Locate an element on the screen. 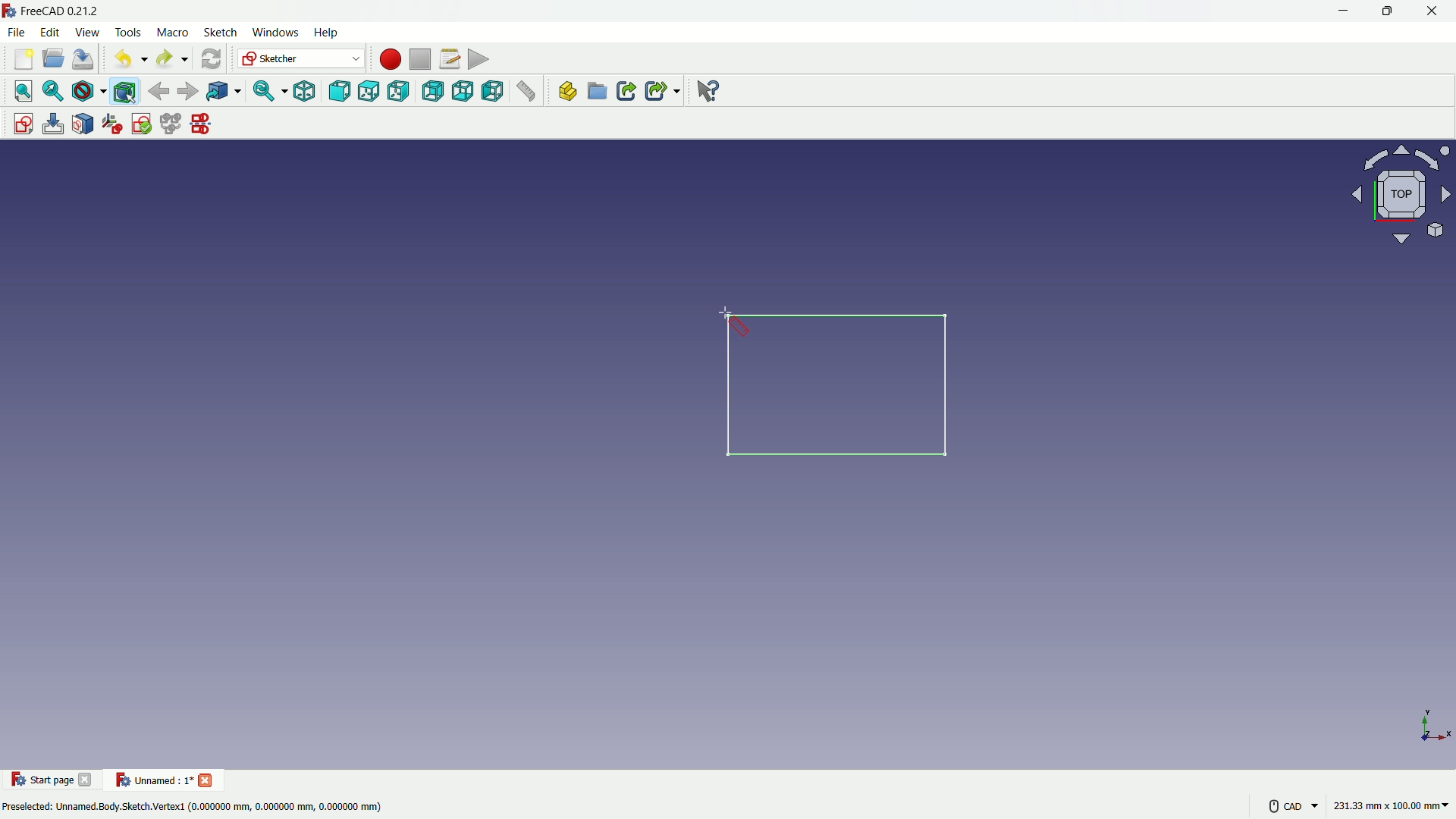 Image resolution: width=1456 pixels, height=819 pixels. back view is located at coordinates (432, 91).